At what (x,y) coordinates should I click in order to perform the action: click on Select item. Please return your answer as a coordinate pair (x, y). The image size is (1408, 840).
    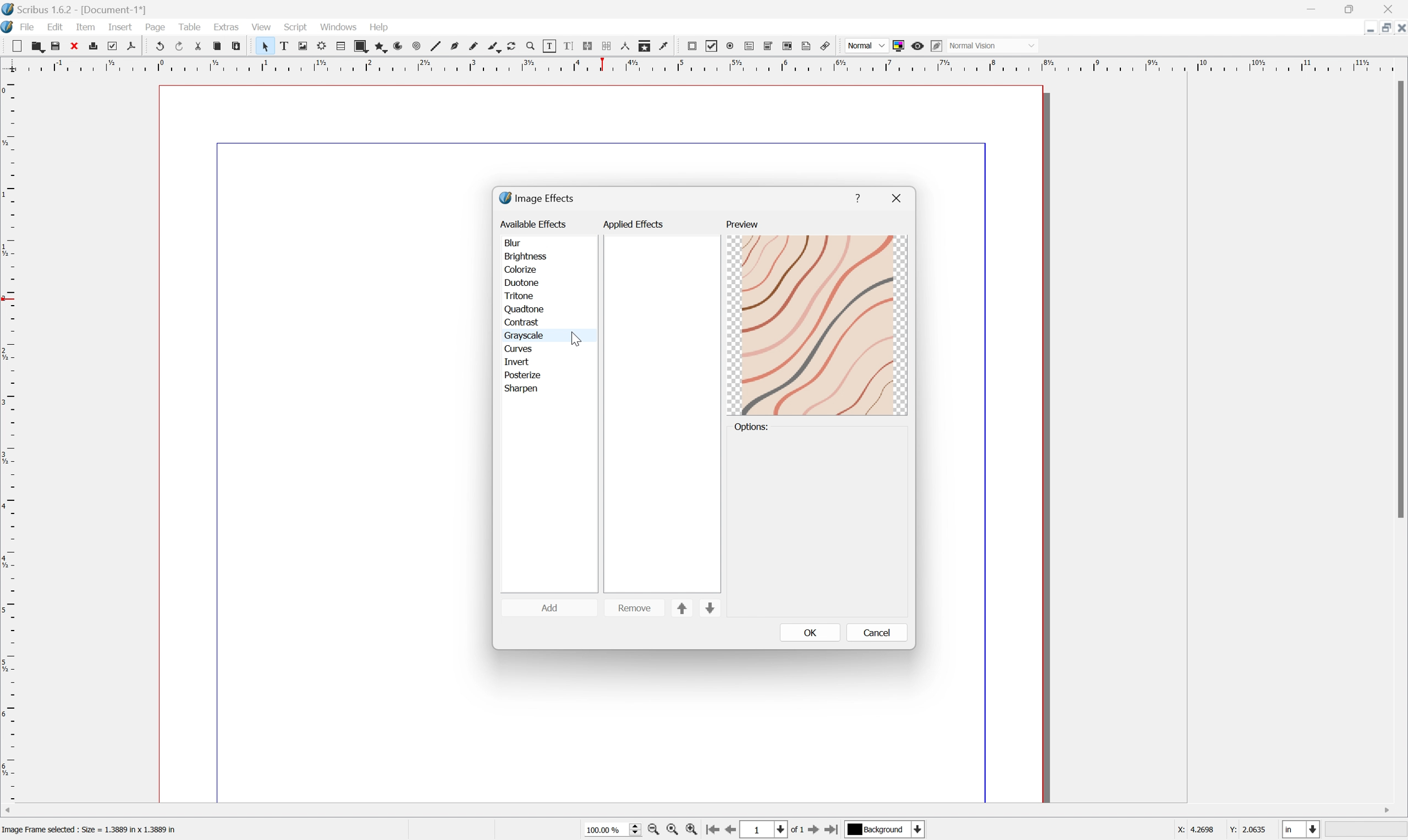
    Looking at the image, I should click on (269, 47).